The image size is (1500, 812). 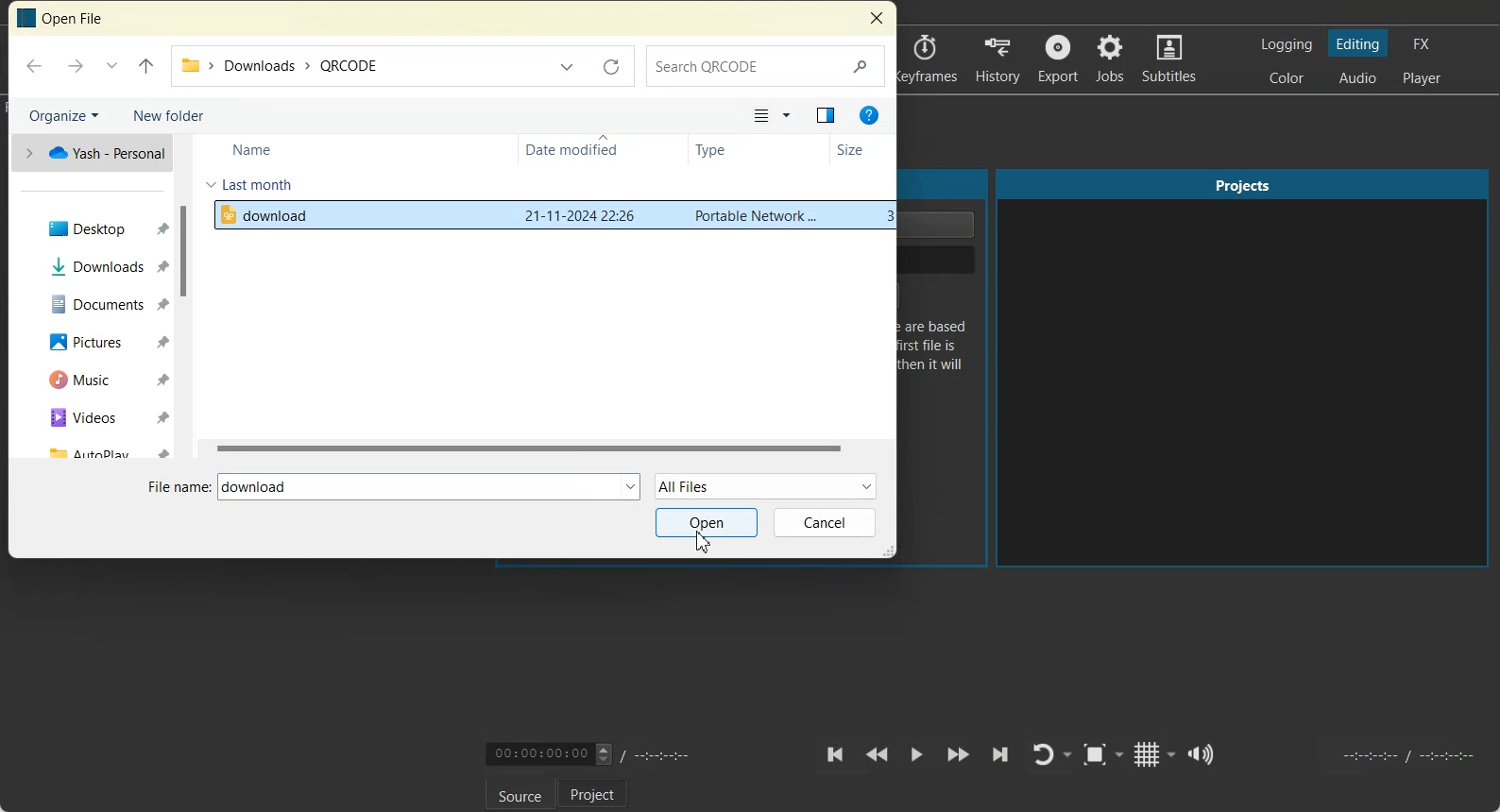 I want to click on Up to last file, so click(x=145, y=66).